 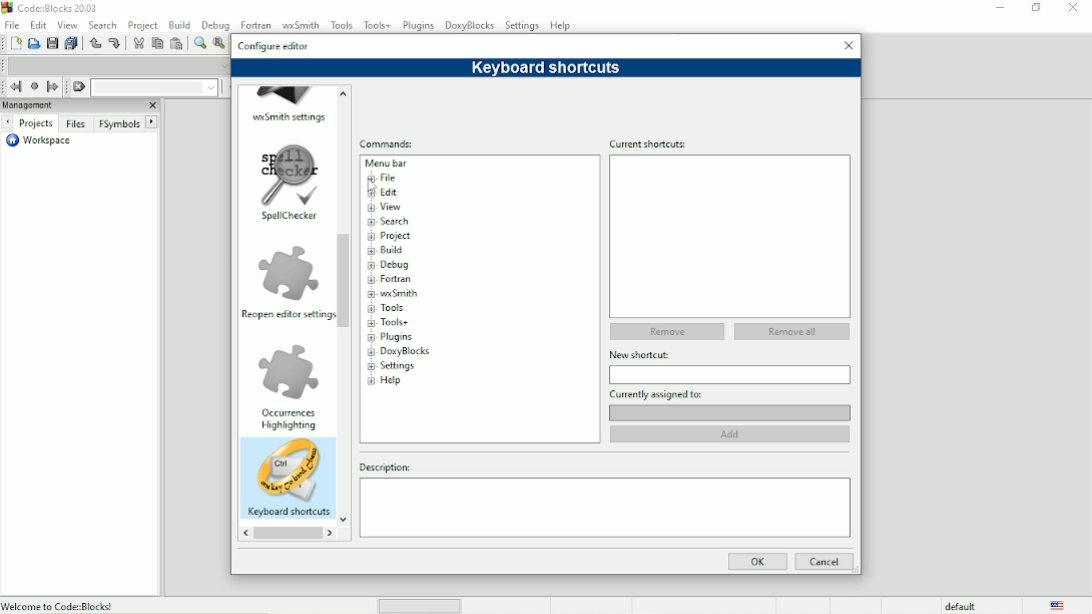 I want to click on wxSmith settings, so click(x=290, y=117).